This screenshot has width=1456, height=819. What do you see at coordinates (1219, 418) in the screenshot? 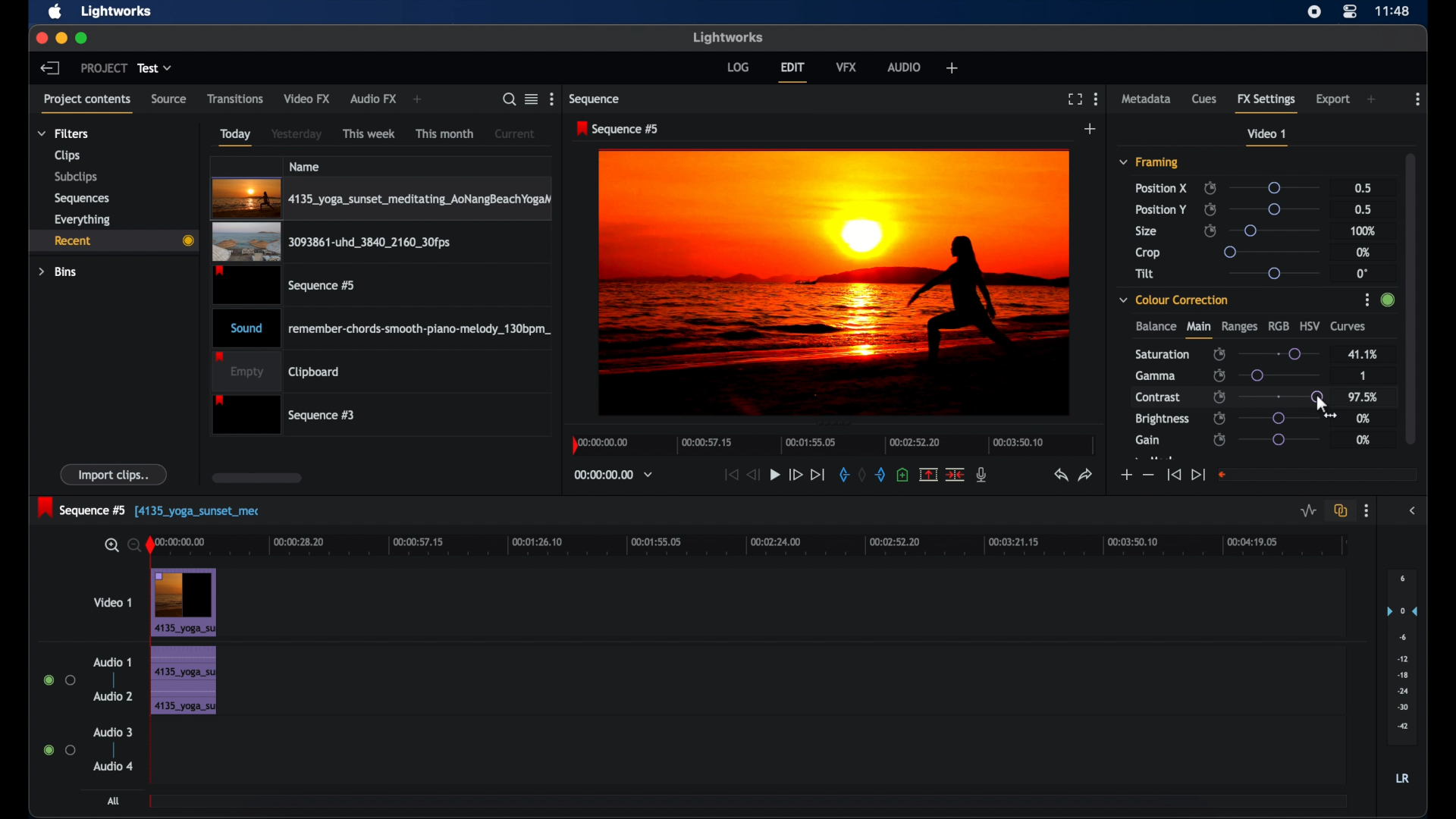
I see `enable/disable keyframes` at bounding box center [1219, 418].